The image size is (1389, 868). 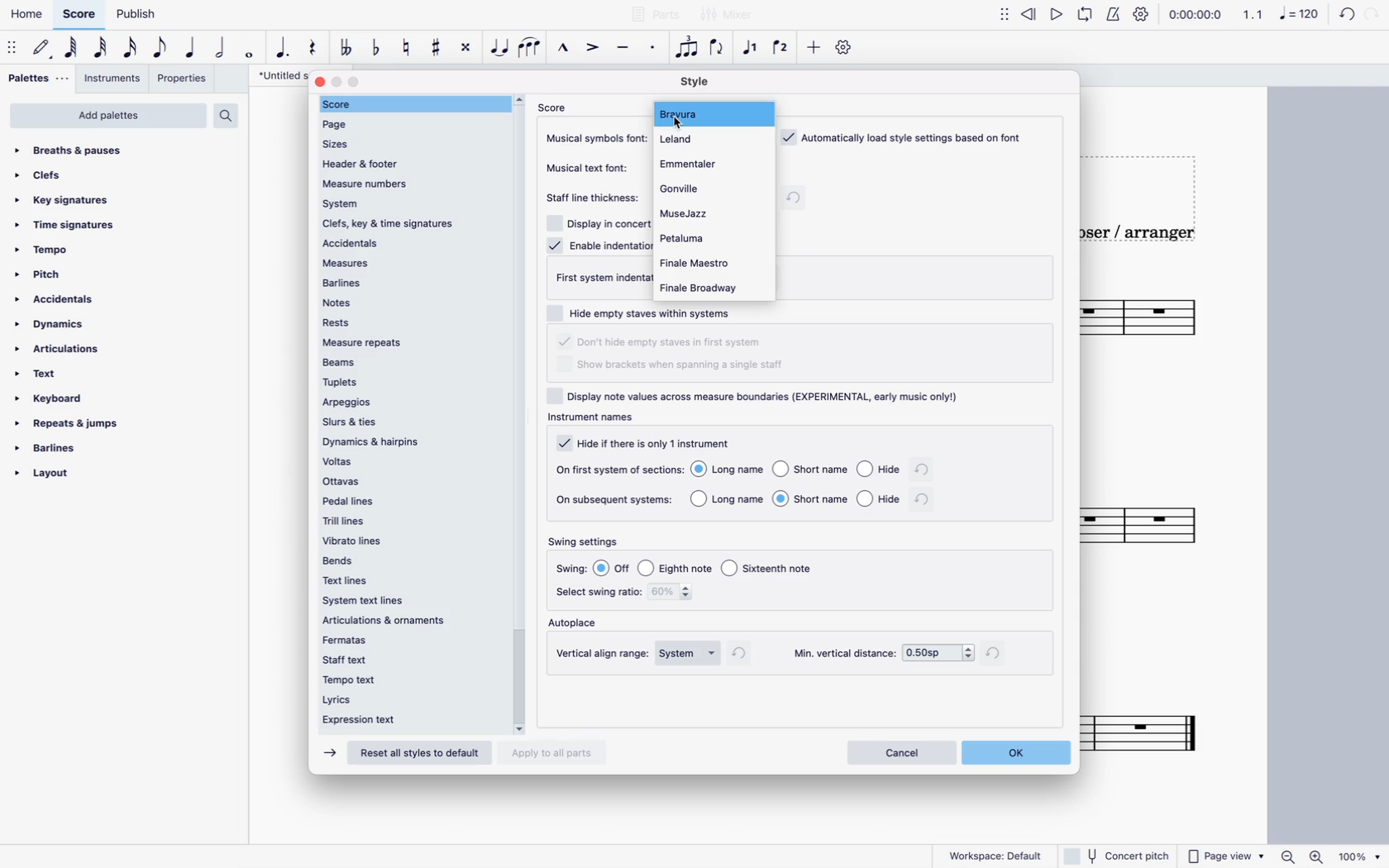 What do you see at coordinates (410, 402) in the screenshot?
I see `arpeggios` at bounding box center [410, 402].